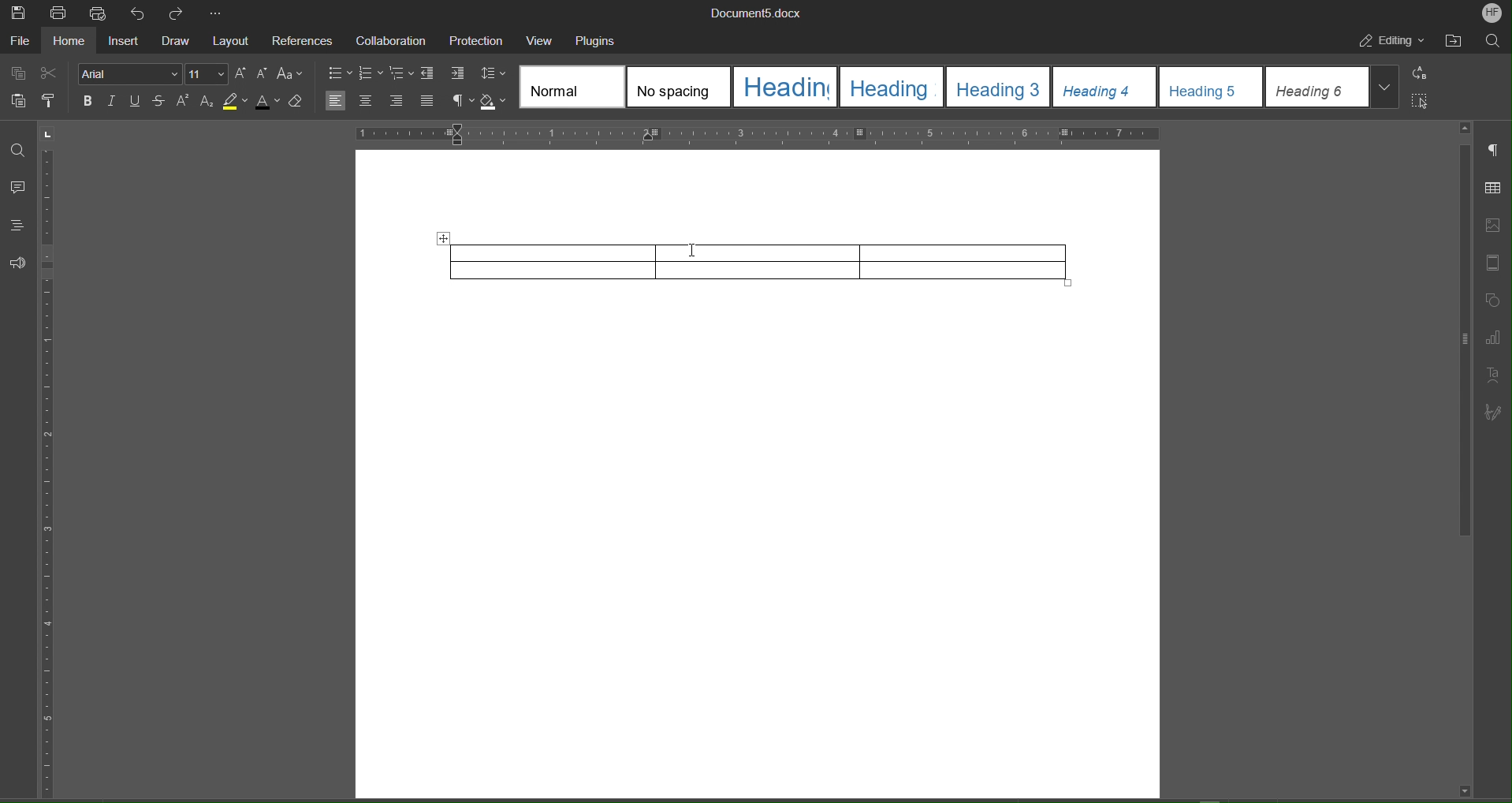  Describe the element at coordinates (1393, 43) in the screenshot. I see `Editing` at that location.